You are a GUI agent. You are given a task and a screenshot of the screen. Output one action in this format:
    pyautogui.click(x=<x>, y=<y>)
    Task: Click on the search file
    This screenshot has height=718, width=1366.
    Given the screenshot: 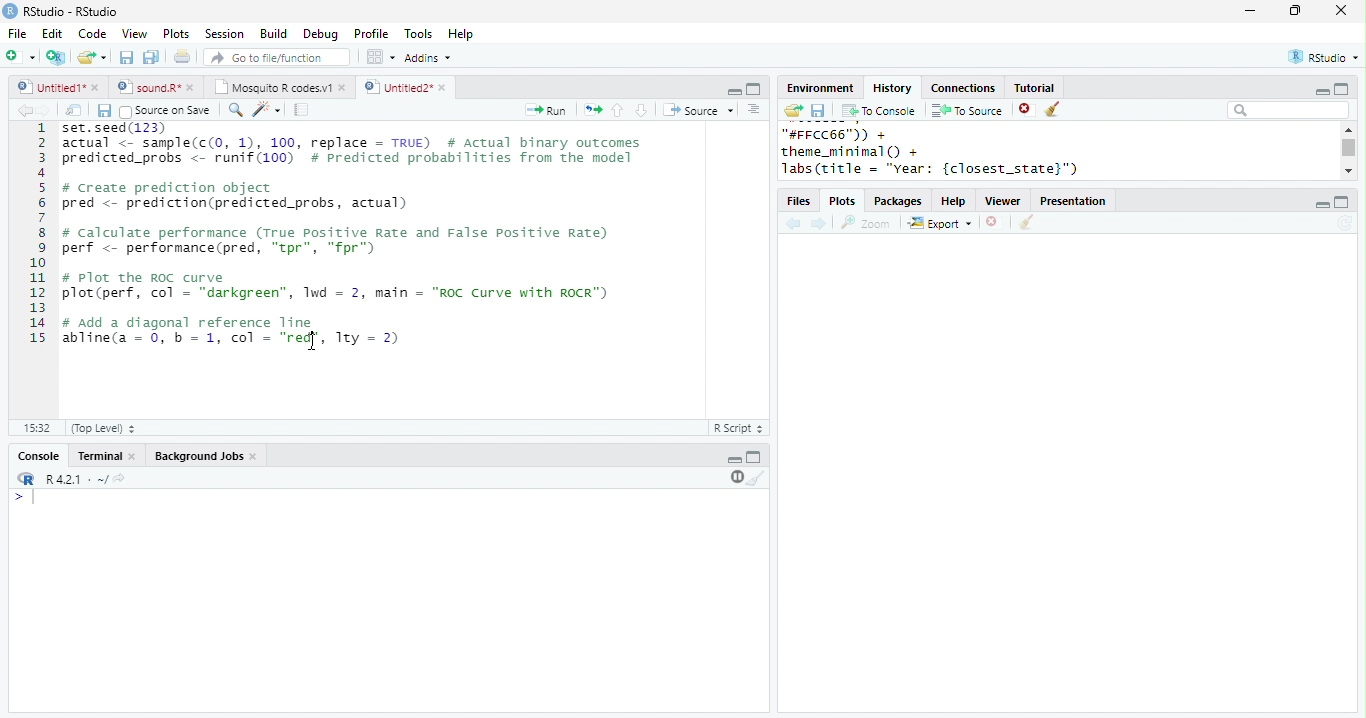 What is the action you would take?
    pyautogui.click(x=278, y=57)
    